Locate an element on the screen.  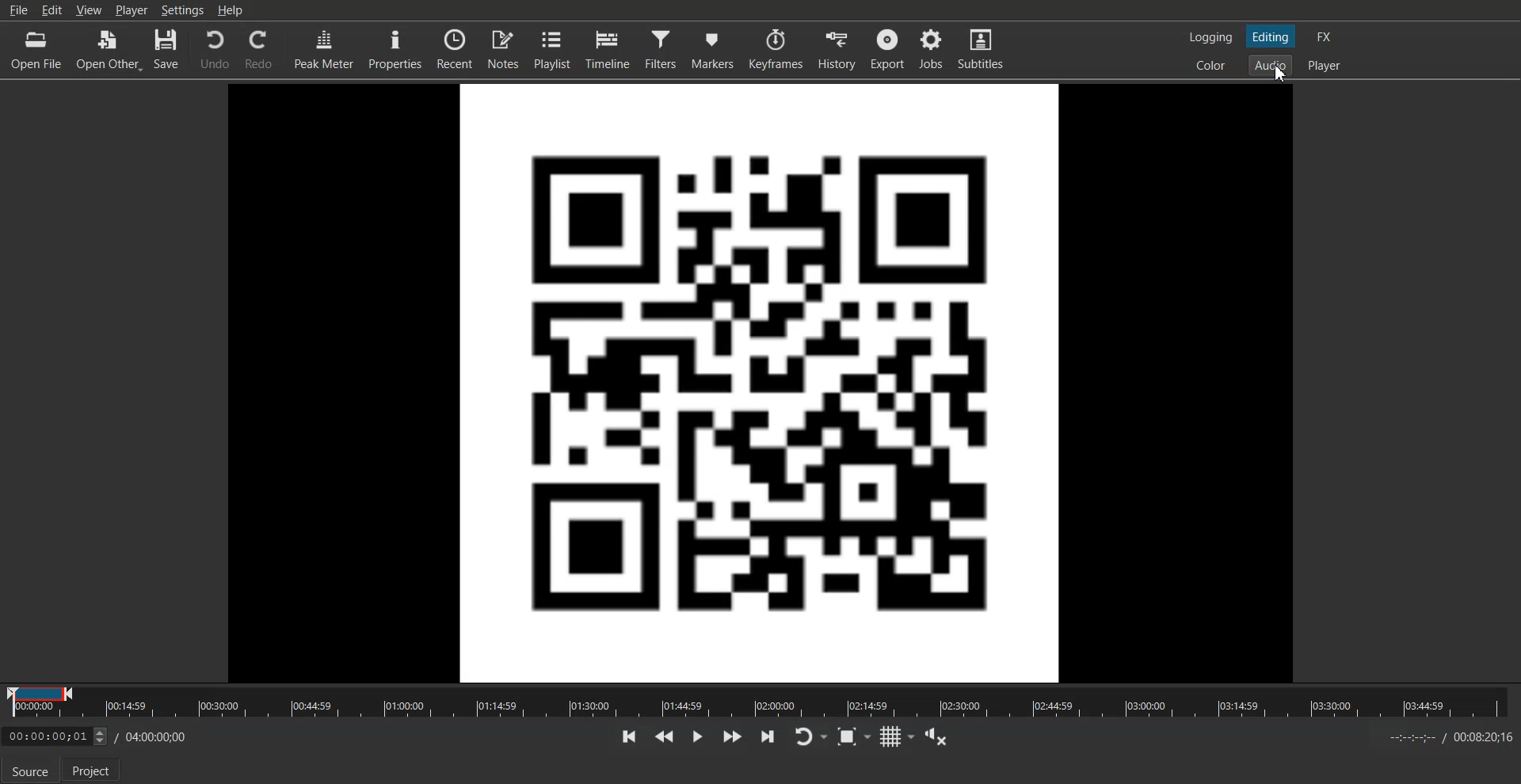
cursor is located at coordinates (1280, 74).